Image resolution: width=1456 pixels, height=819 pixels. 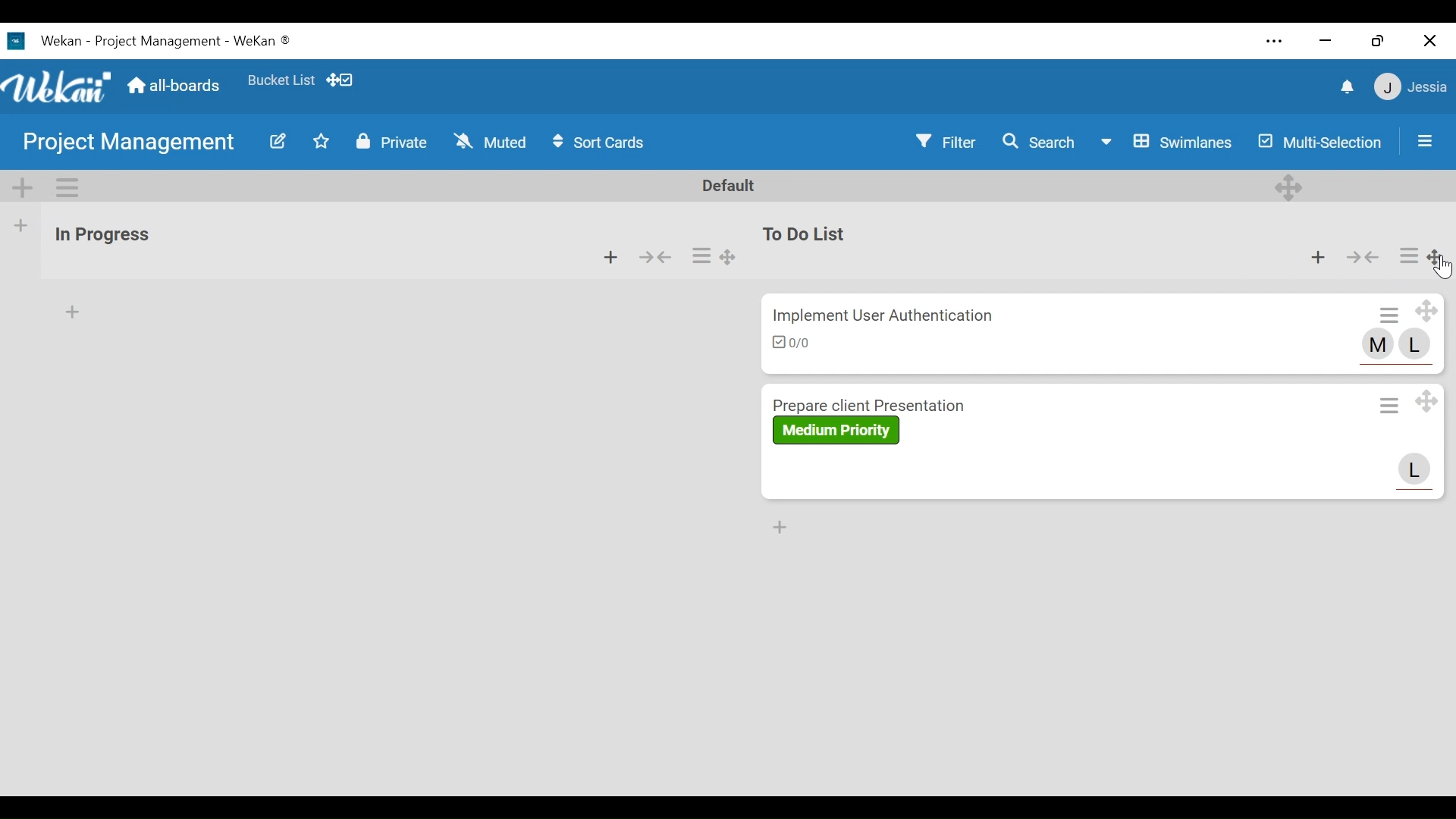 What do you see at coordinates (657, 256) in the screenshot?
I see `Collapse` at bounding box center [657, 256].